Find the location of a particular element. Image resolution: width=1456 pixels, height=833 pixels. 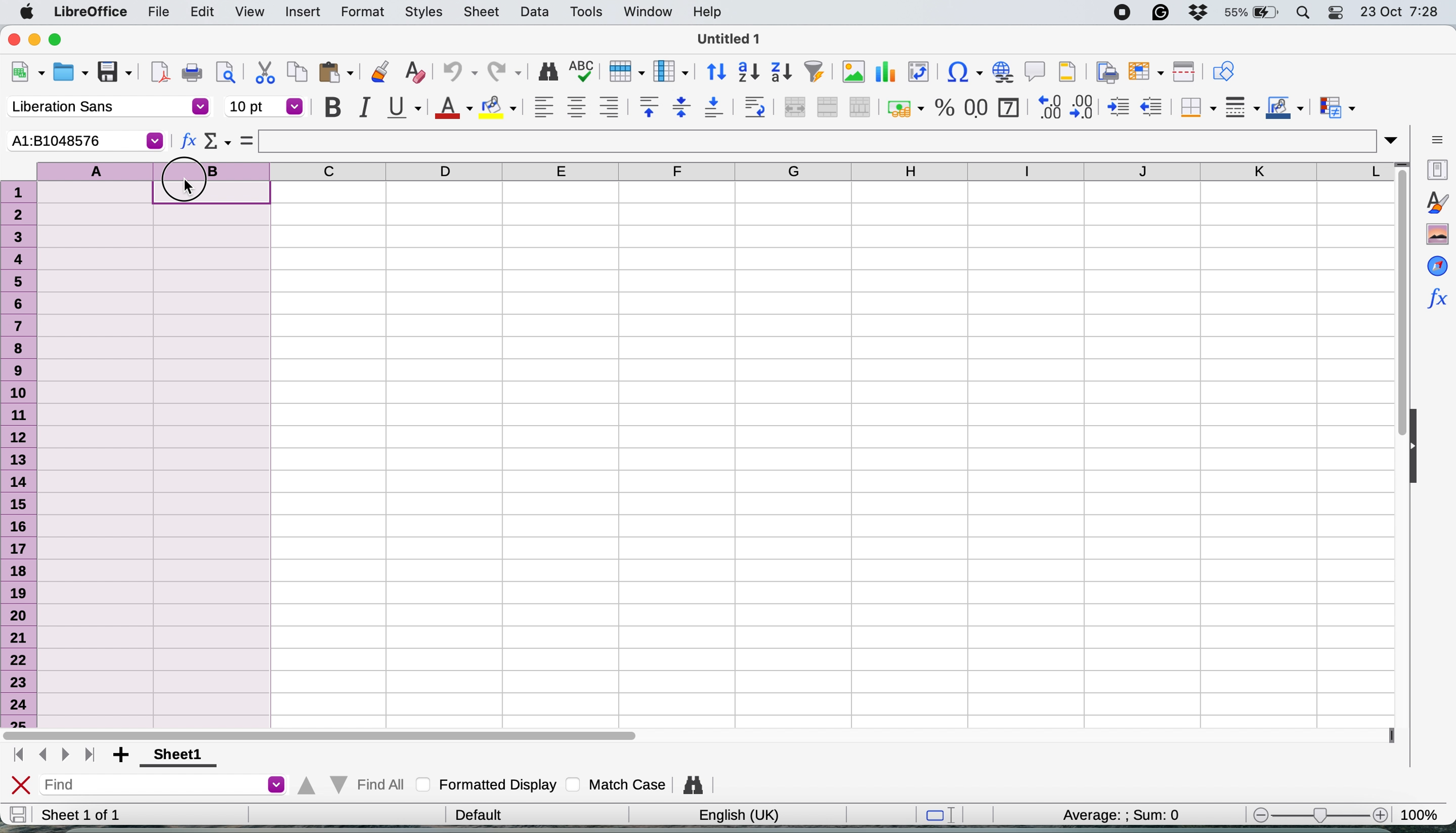

add sheet is located at coordinates (121, 754).